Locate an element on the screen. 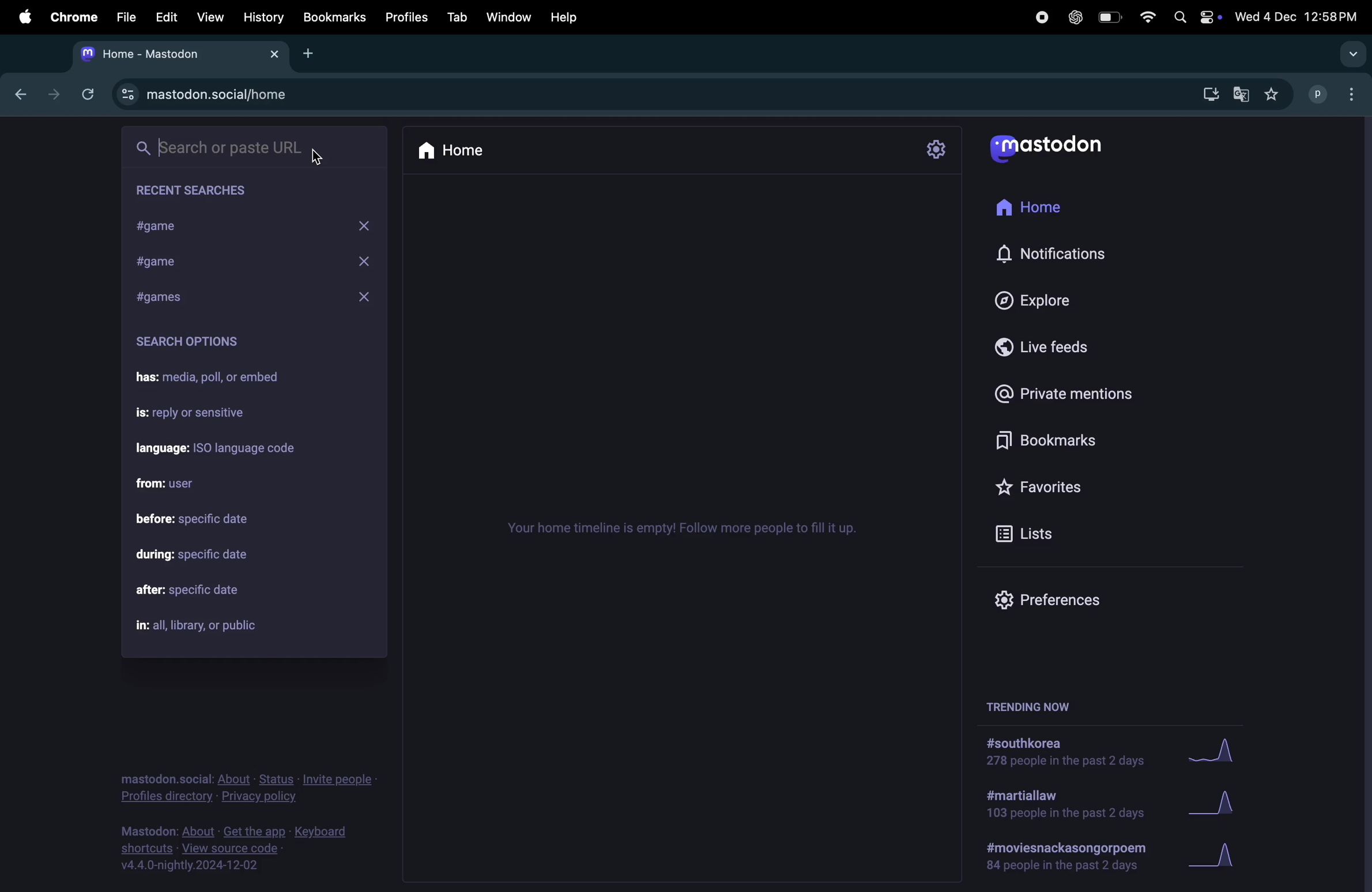 This screenshot has height=892, width=1372. #game is located at coordinates (191, 263).